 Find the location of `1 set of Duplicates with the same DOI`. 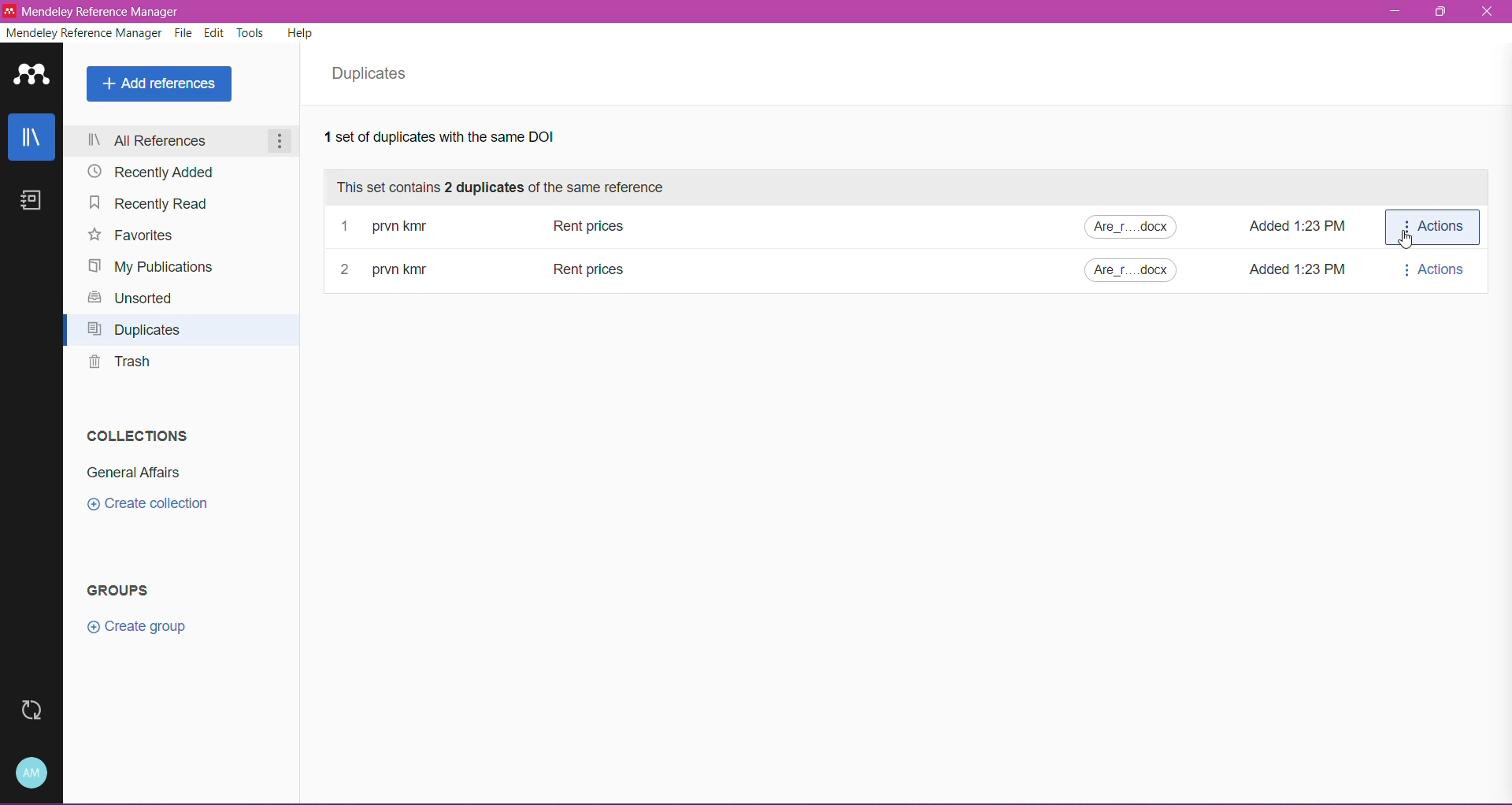

1 set of Duplicates with the same DOI is located at coordinates (466, 139).